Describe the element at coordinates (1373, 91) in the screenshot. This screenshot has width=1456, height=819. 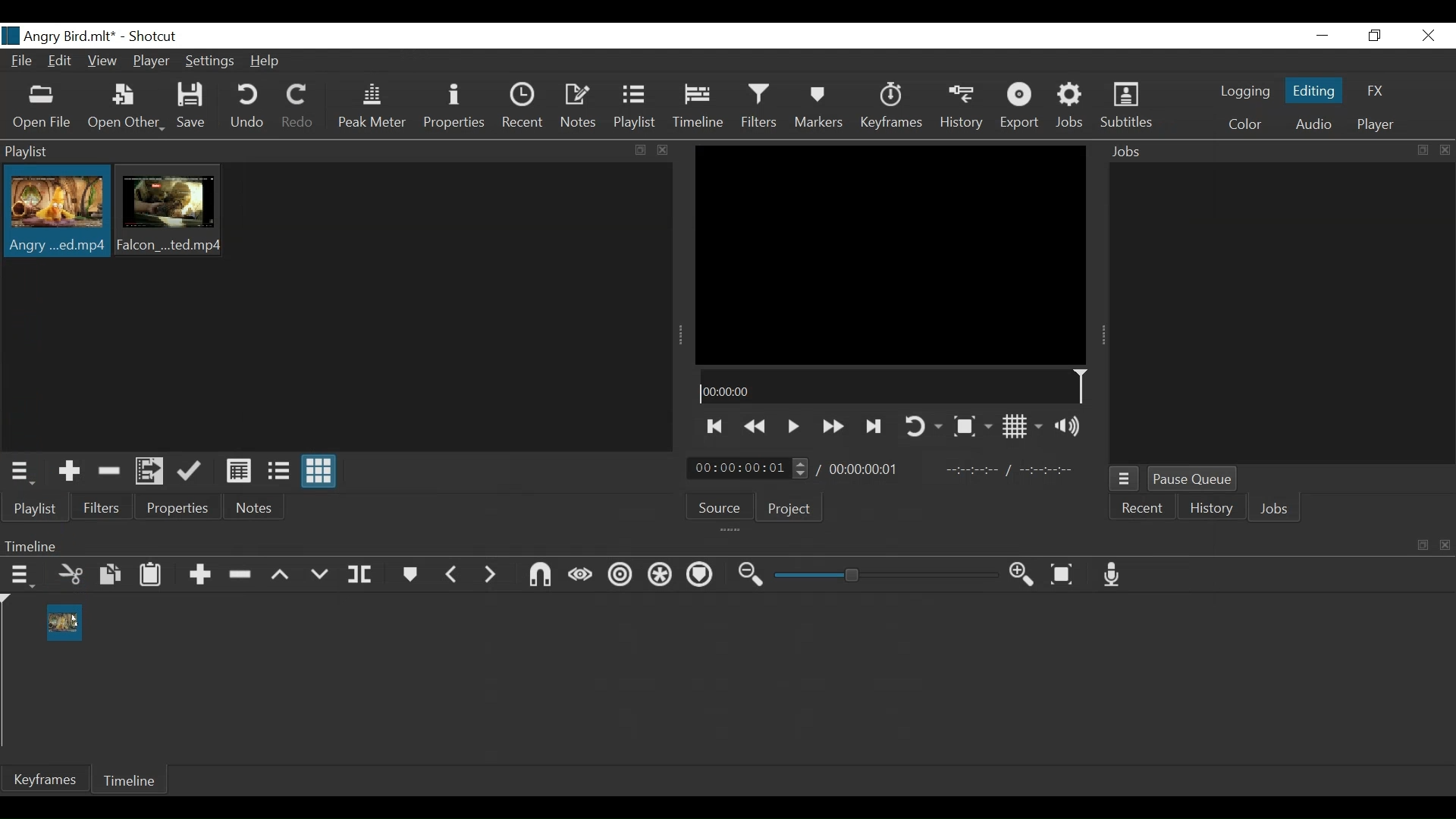
I see `FX` at that location.